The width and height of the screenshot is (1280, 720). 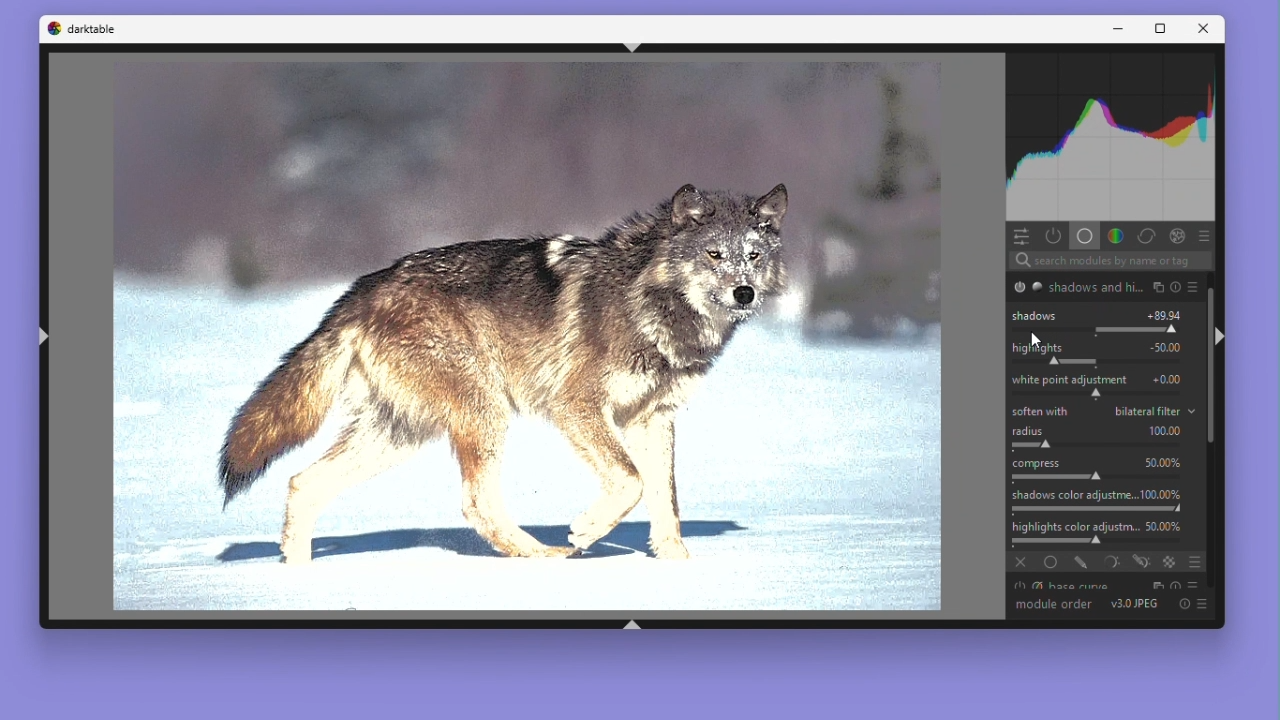 What do you see at coordinates (1175, 289) in the screenshot?
I see `reset parameters` at bounding box center [1175, 289].